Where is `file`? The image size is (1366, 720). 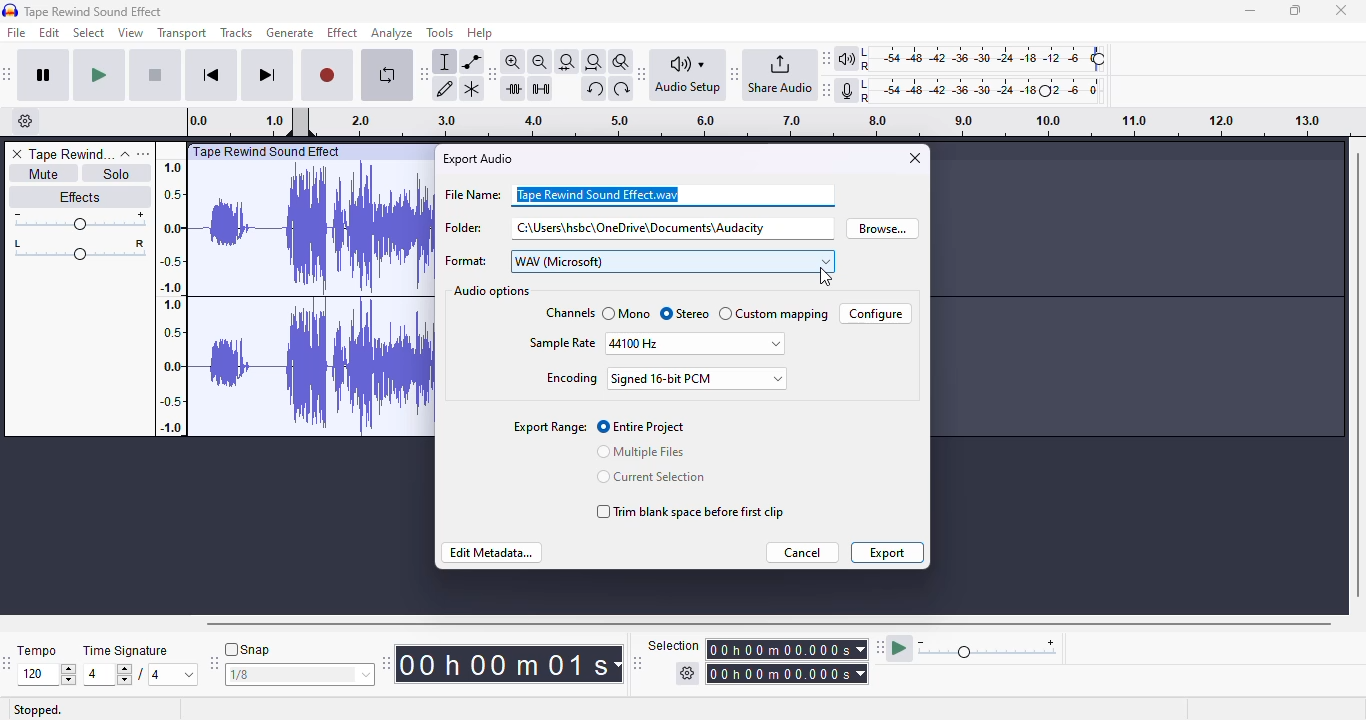
file is located at coordinates (17, 32).